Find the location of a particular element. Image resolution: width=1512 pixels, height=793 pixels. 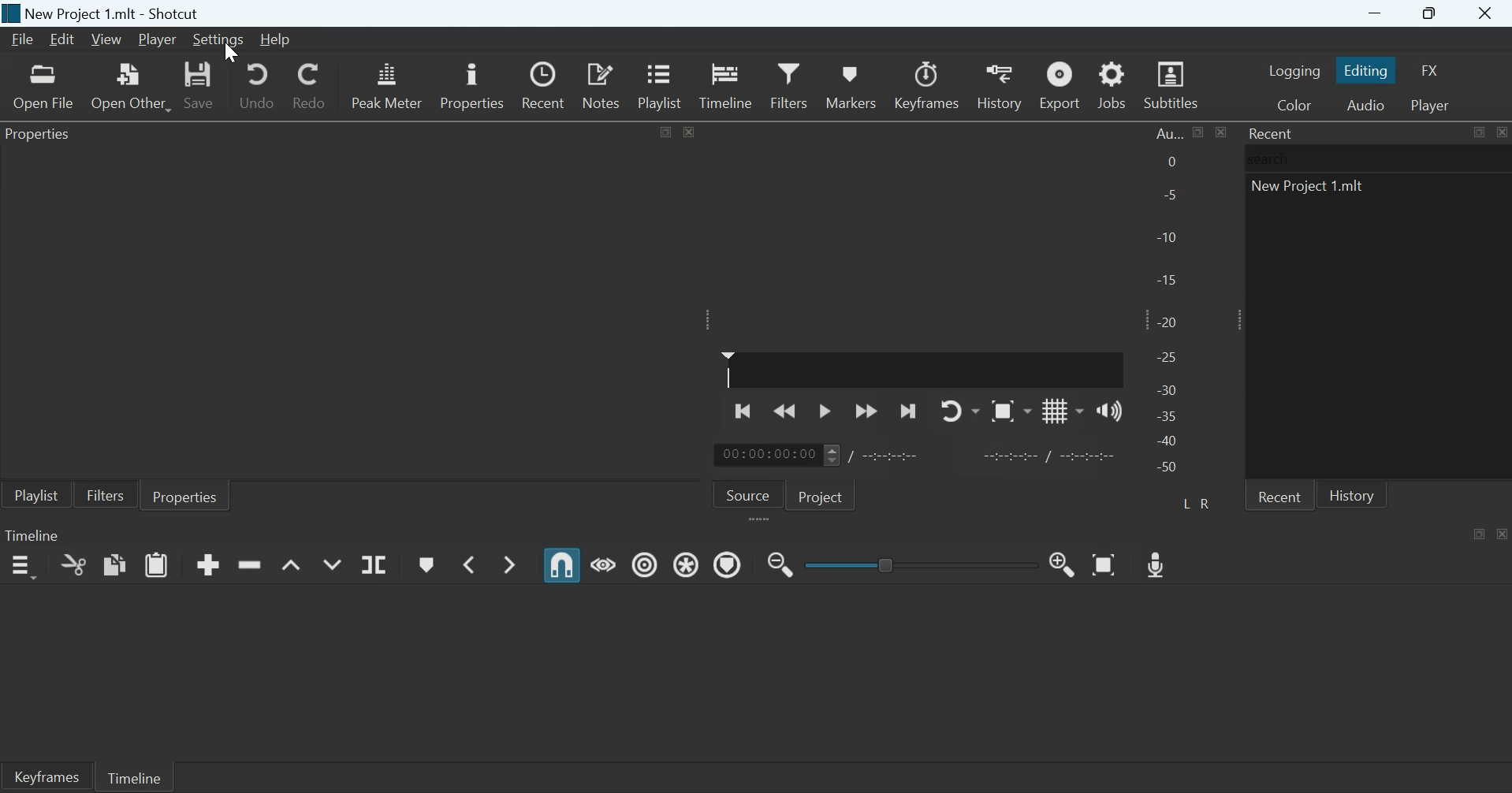

Save project as MLT XML file is located at coordinates (200, 85).